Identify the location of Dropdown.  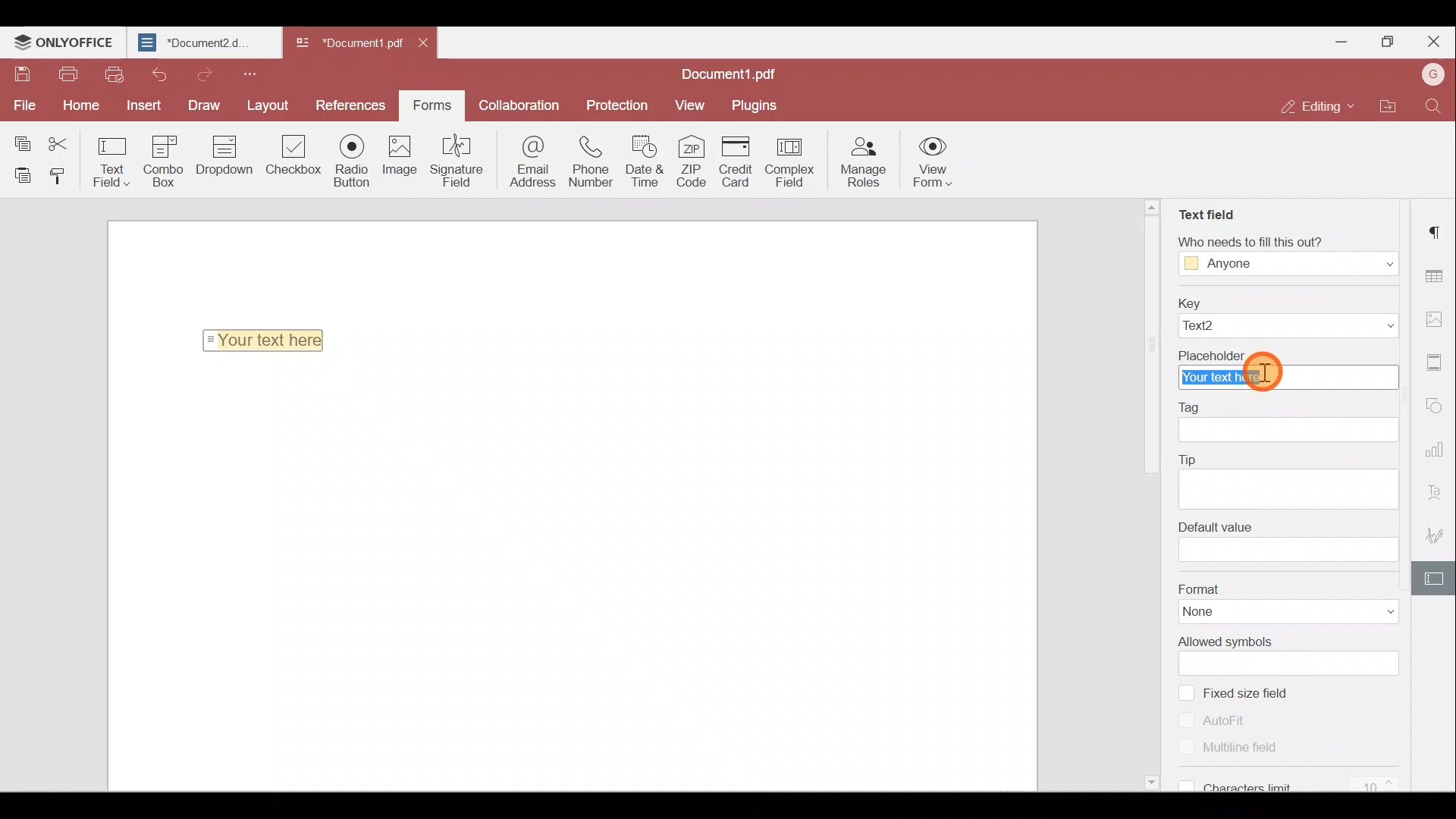
(1373, 262).